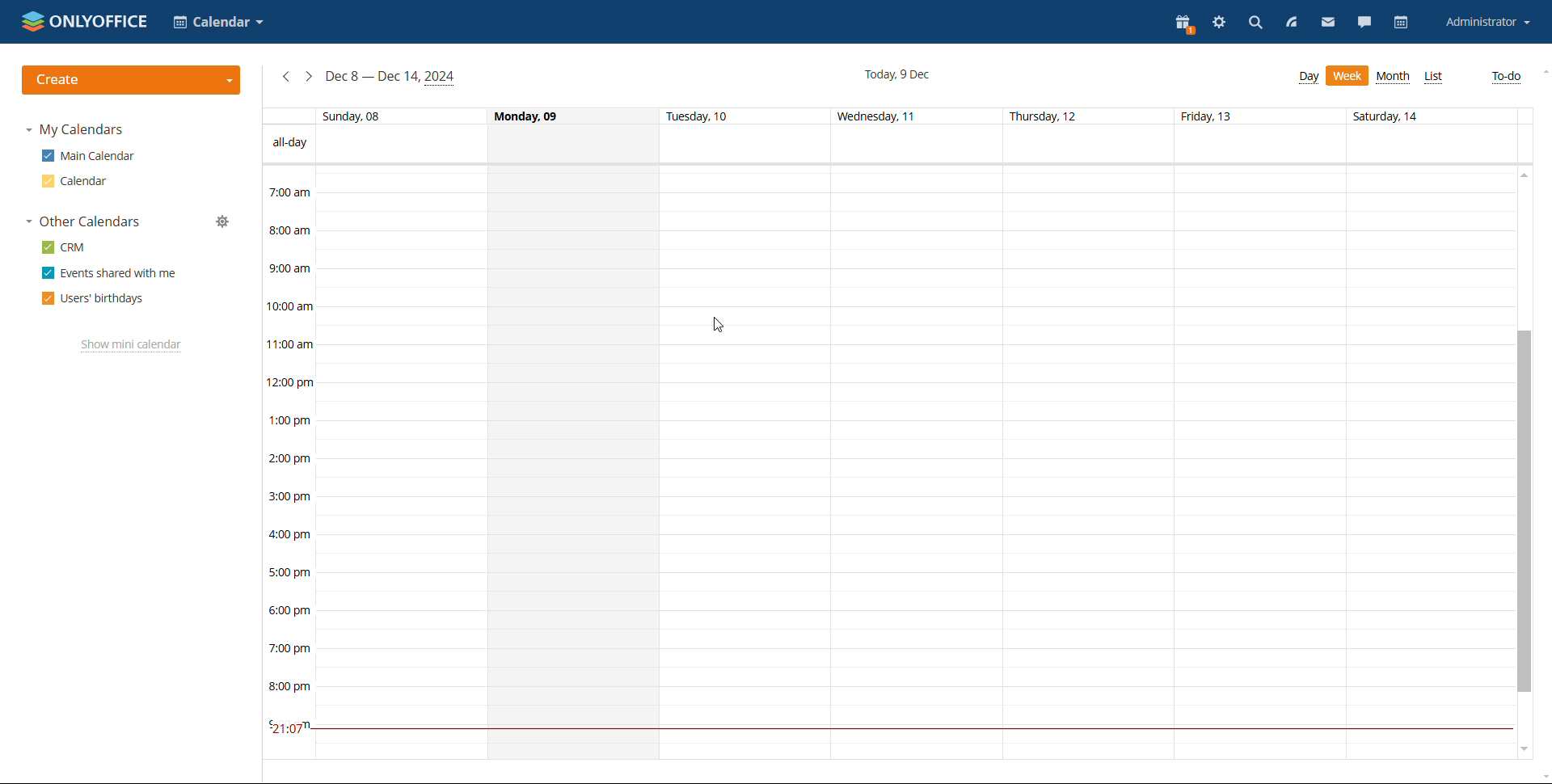 Image resolution: width=1552 pixels, height=784 pixels. What do you see at coordinates (133, 80) in the screenshot?
I see `create` at bounding box center [133, 80].